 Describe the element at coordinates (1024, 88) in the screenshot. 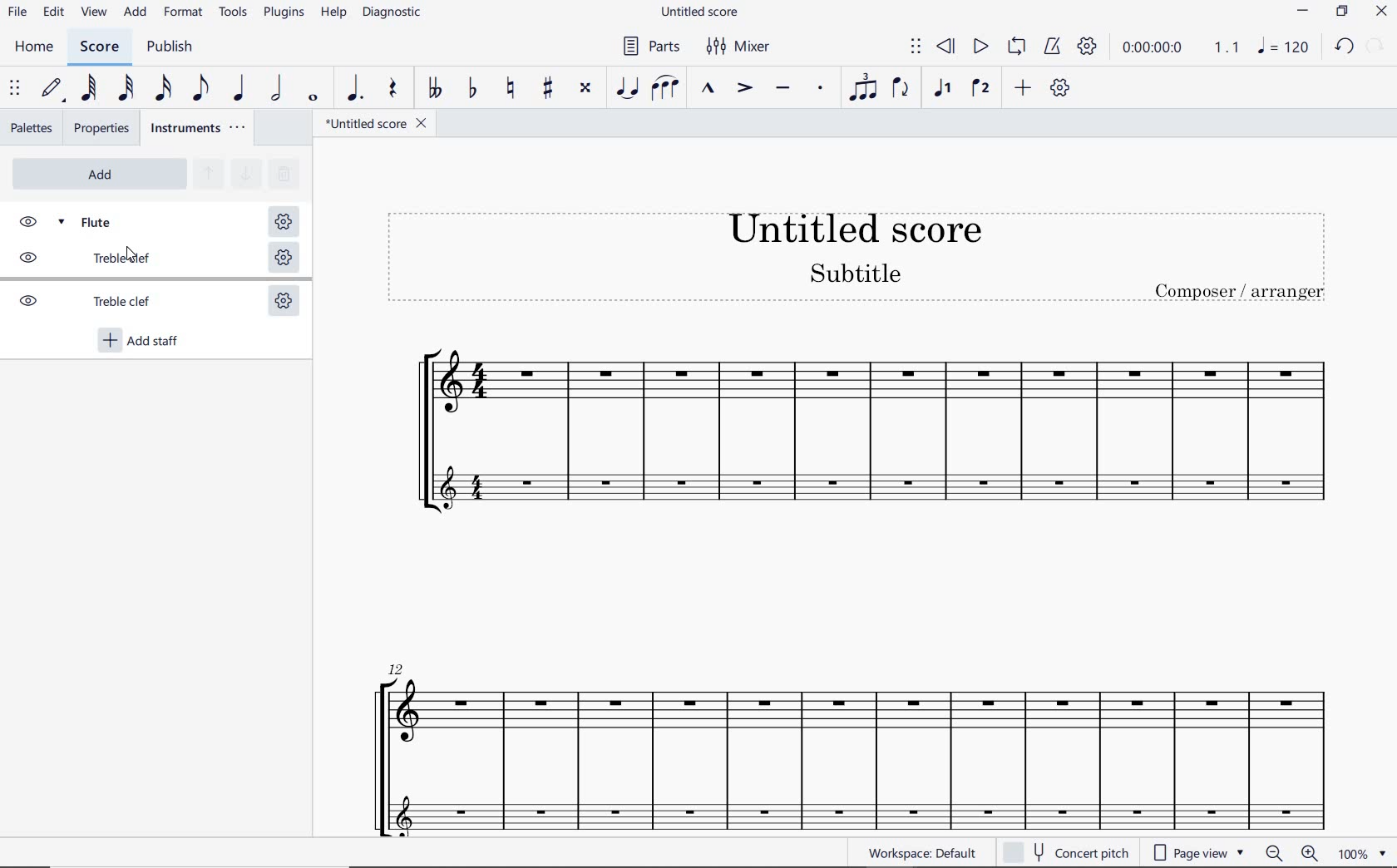

I see `ADD` at that location.